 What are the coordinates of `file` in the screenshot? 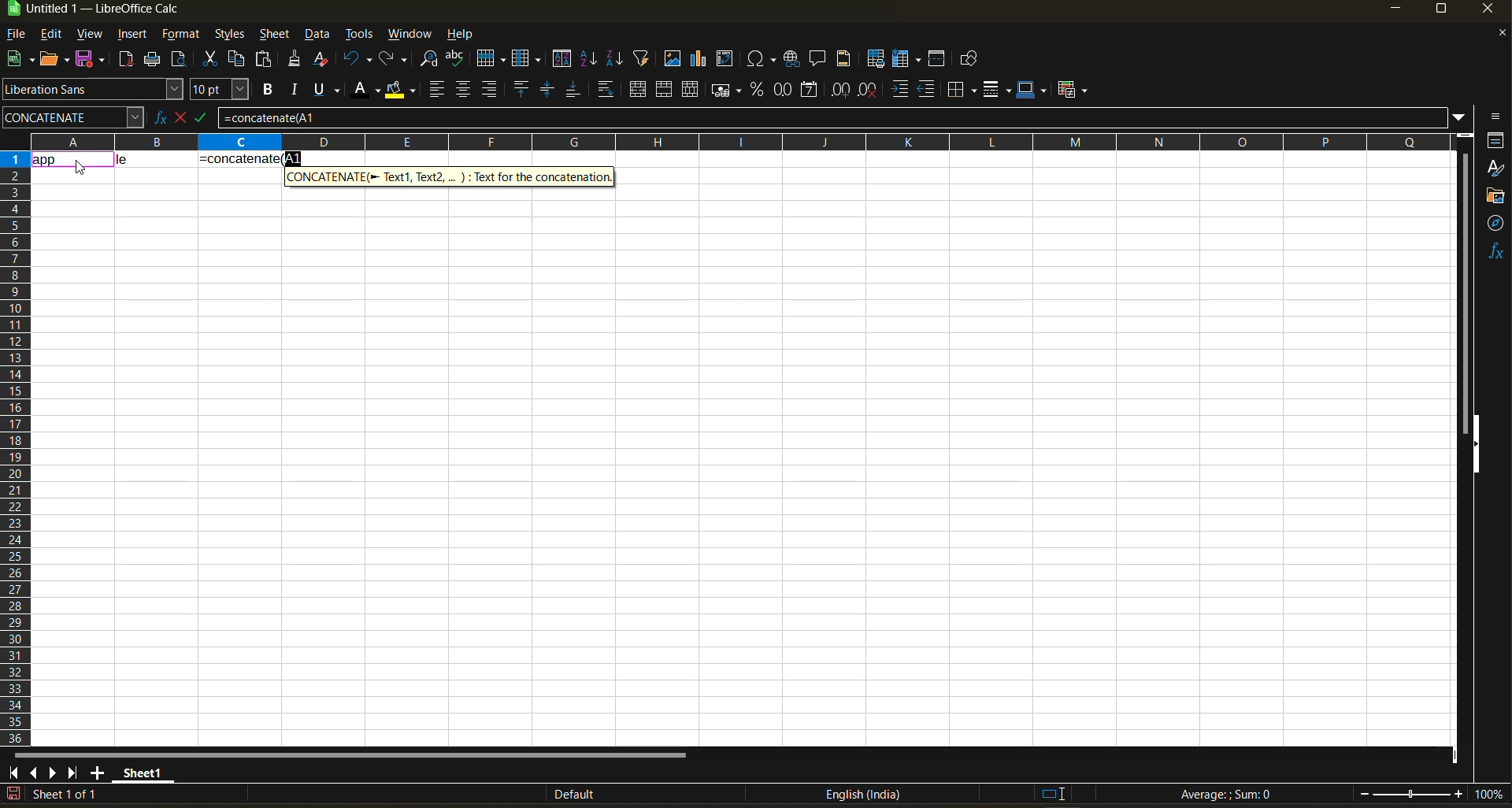 It's located at (21, 35).